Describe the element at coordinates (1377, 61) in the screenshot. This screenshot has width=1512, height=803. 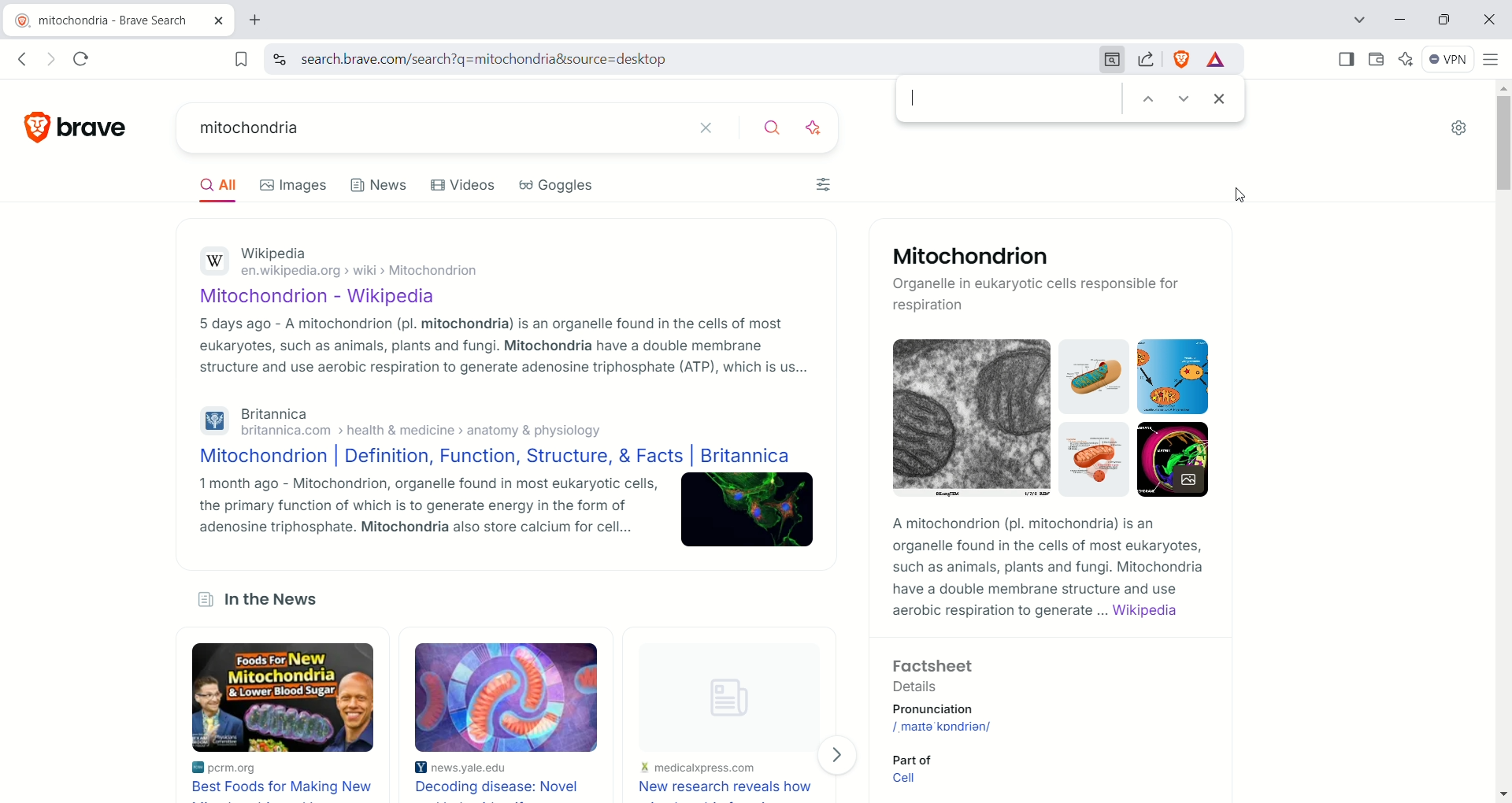
I see `wallet` at that location.